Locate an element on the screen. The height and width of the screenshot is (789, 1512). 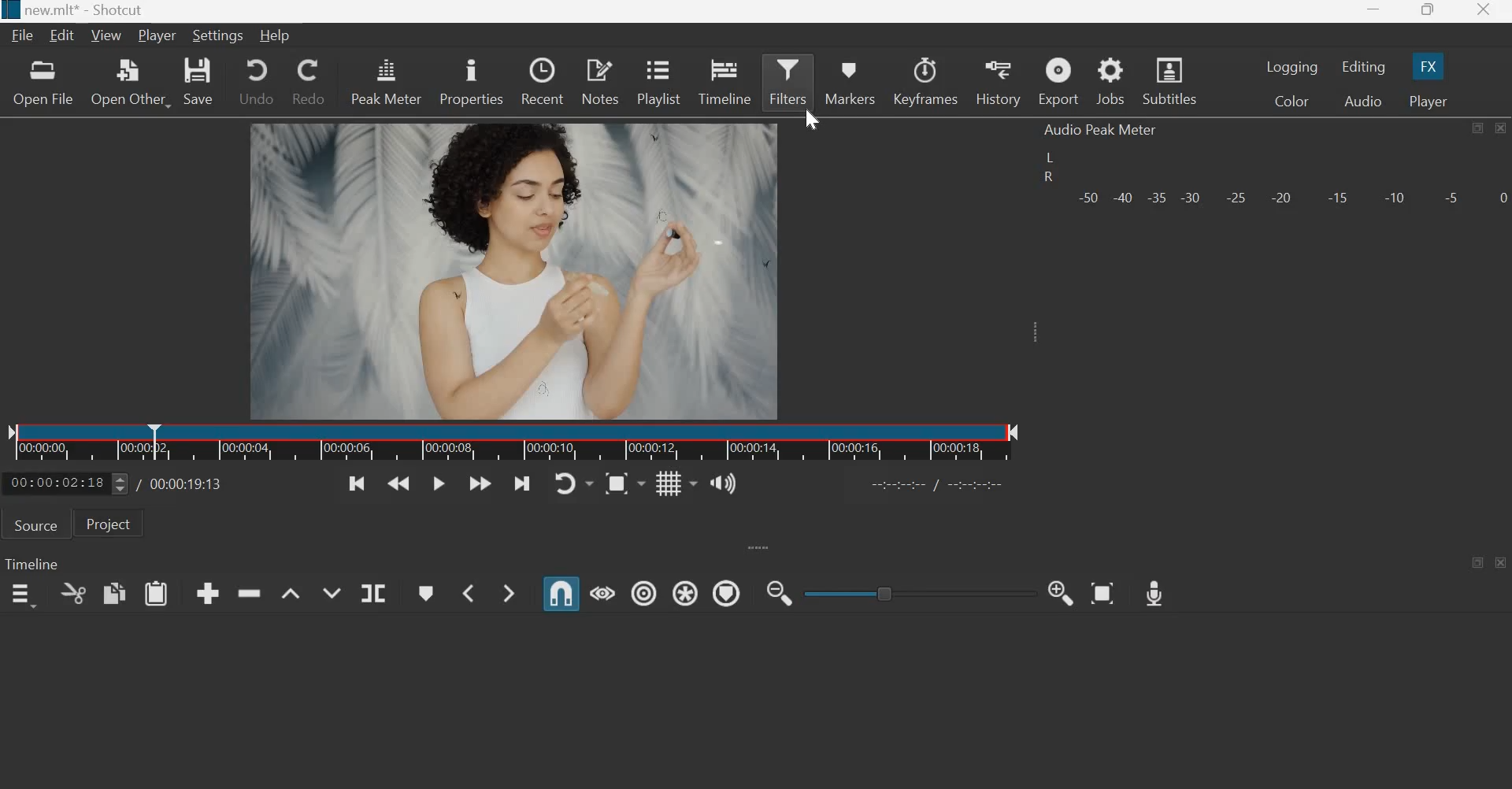
copy is located at coordinates (114, 593).